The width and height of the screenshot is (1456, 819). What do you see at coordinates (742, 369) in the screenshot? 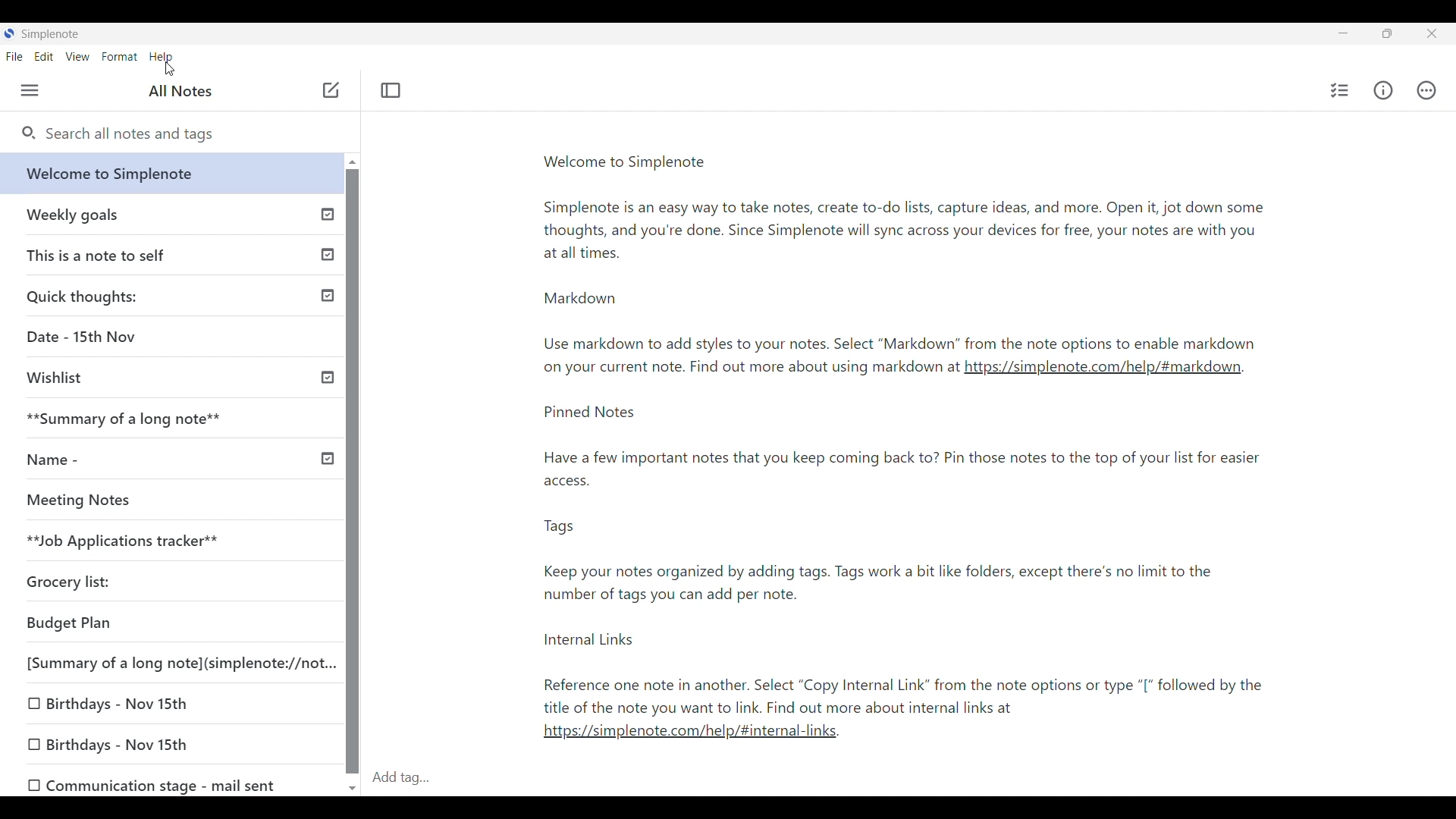
I see `on your current note. rind out more about using markdown at` at bounding box center [742, 369].